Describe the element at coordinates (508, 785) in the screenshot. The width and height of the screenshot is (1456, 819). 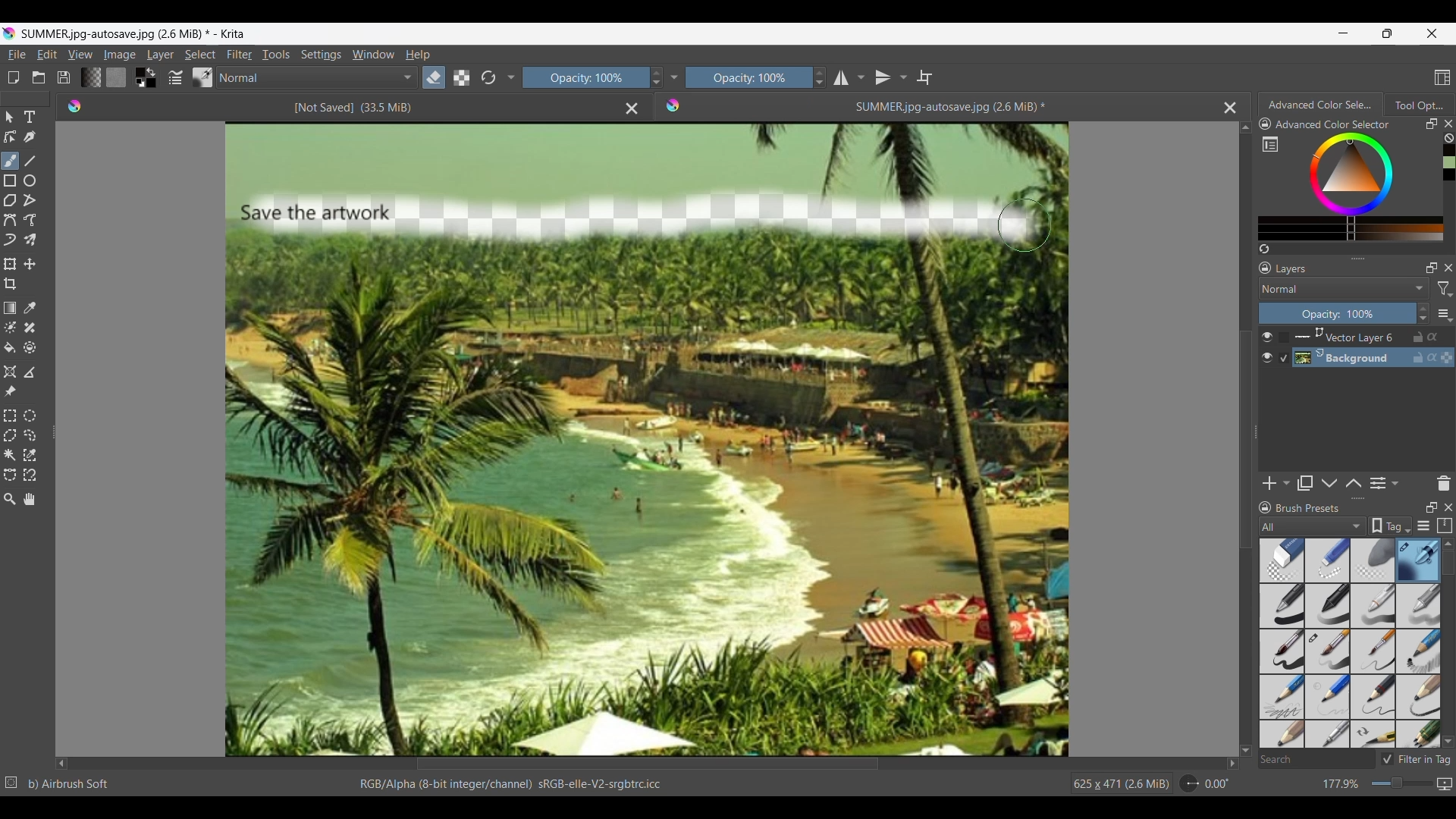
I see `RGB/Alpha (8-bit integer/channel) sRGB-elle-V2-srgbtrc.icc` at that location.